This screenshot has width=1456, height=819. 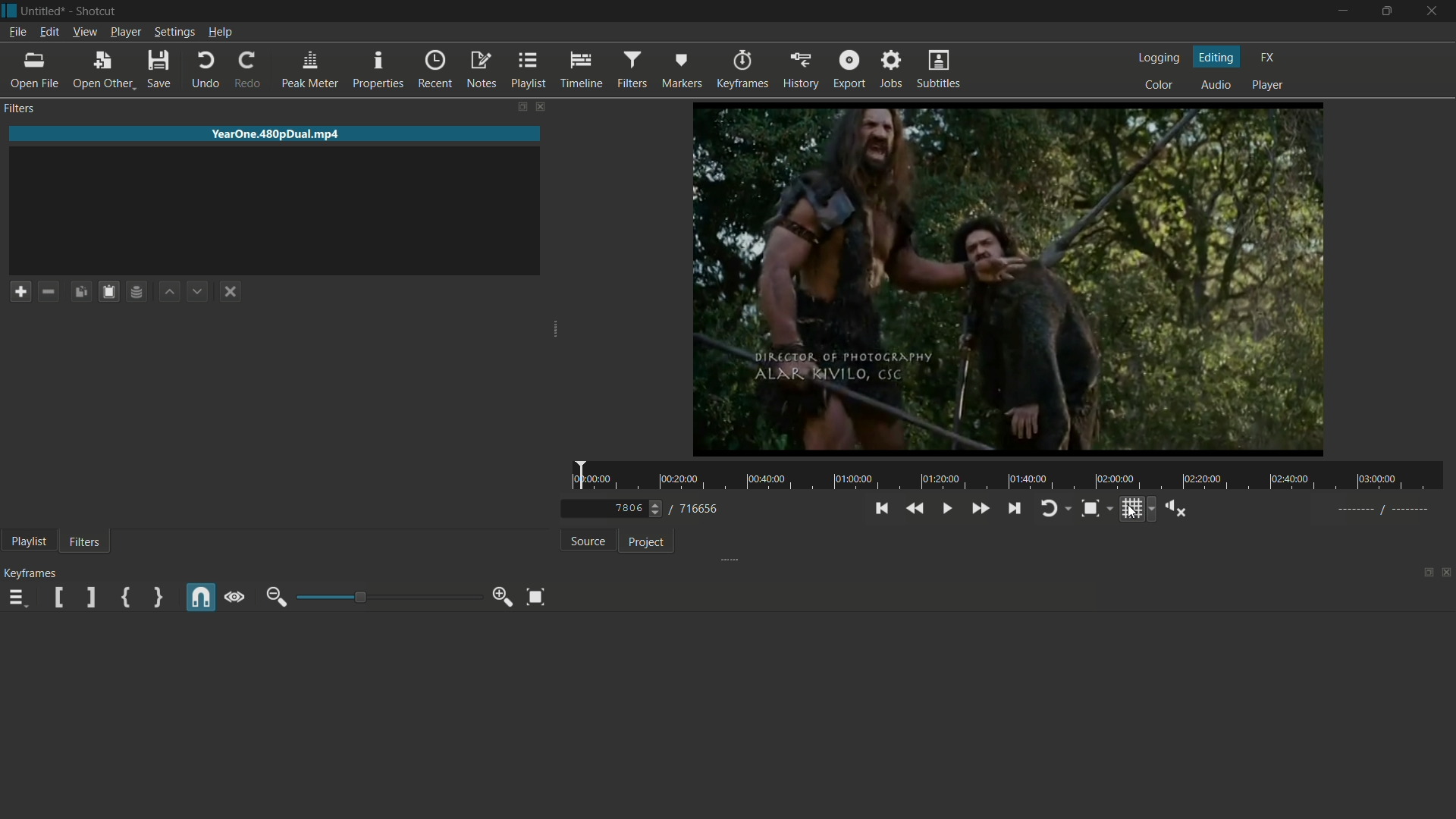 I want to click on save, so click(x=160, y=68).